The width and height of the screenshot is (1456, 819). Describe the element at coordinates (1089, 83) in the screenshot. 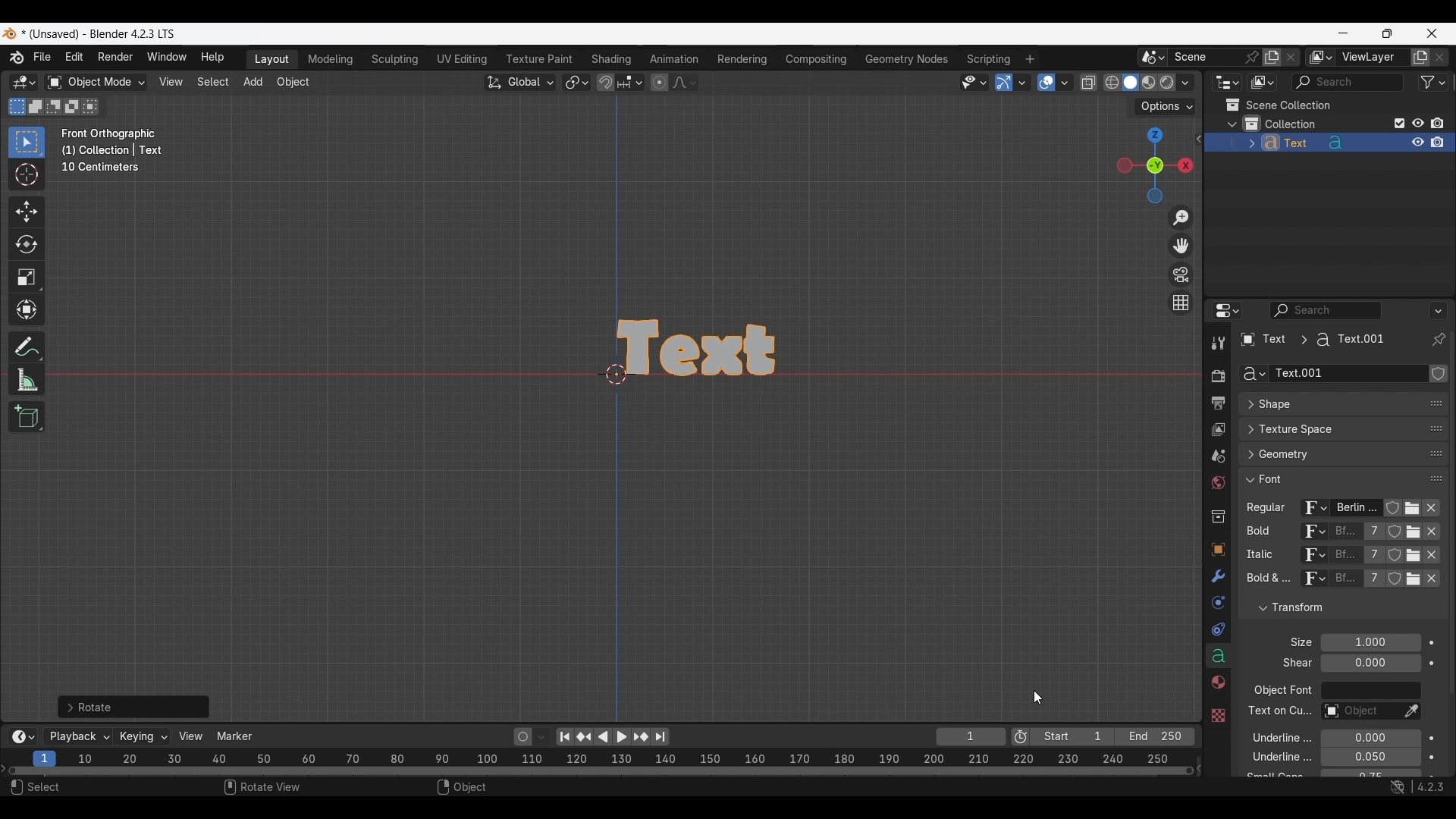

I see `Toggle X-ray` at that location.